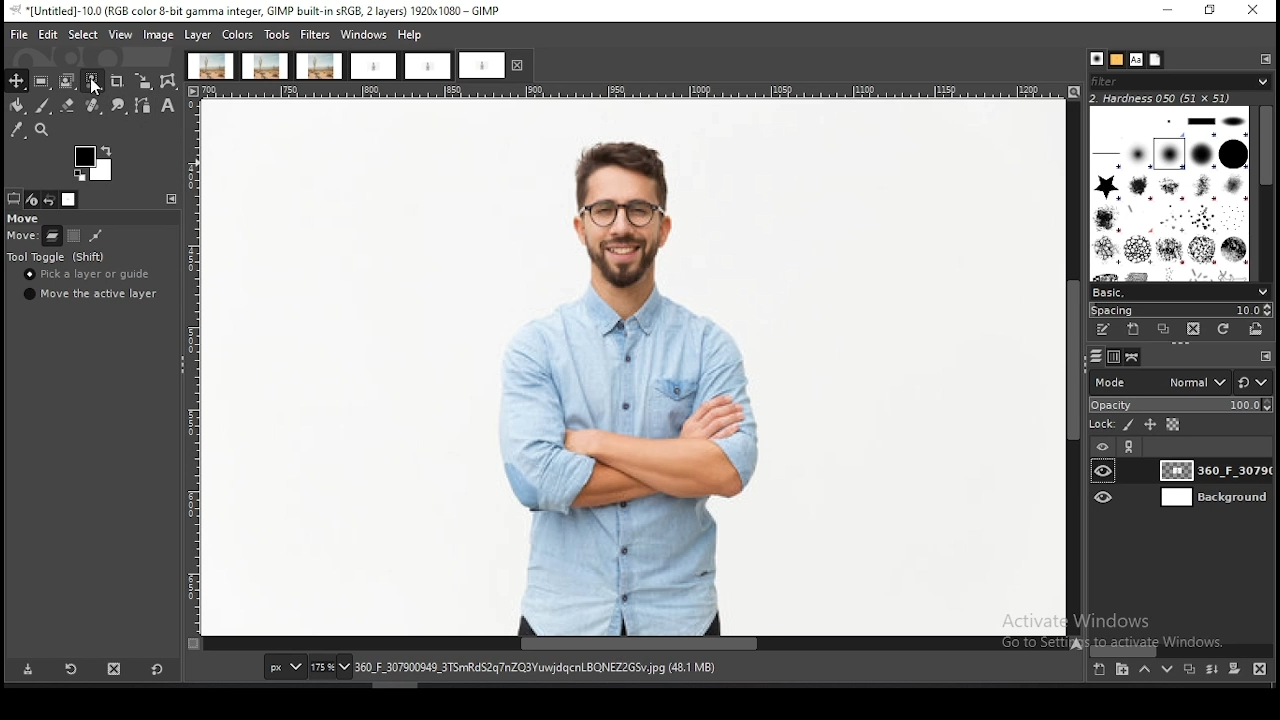  Describe the element at coordinates (1100, 425) in the screenshot. I see `lock` at that location.